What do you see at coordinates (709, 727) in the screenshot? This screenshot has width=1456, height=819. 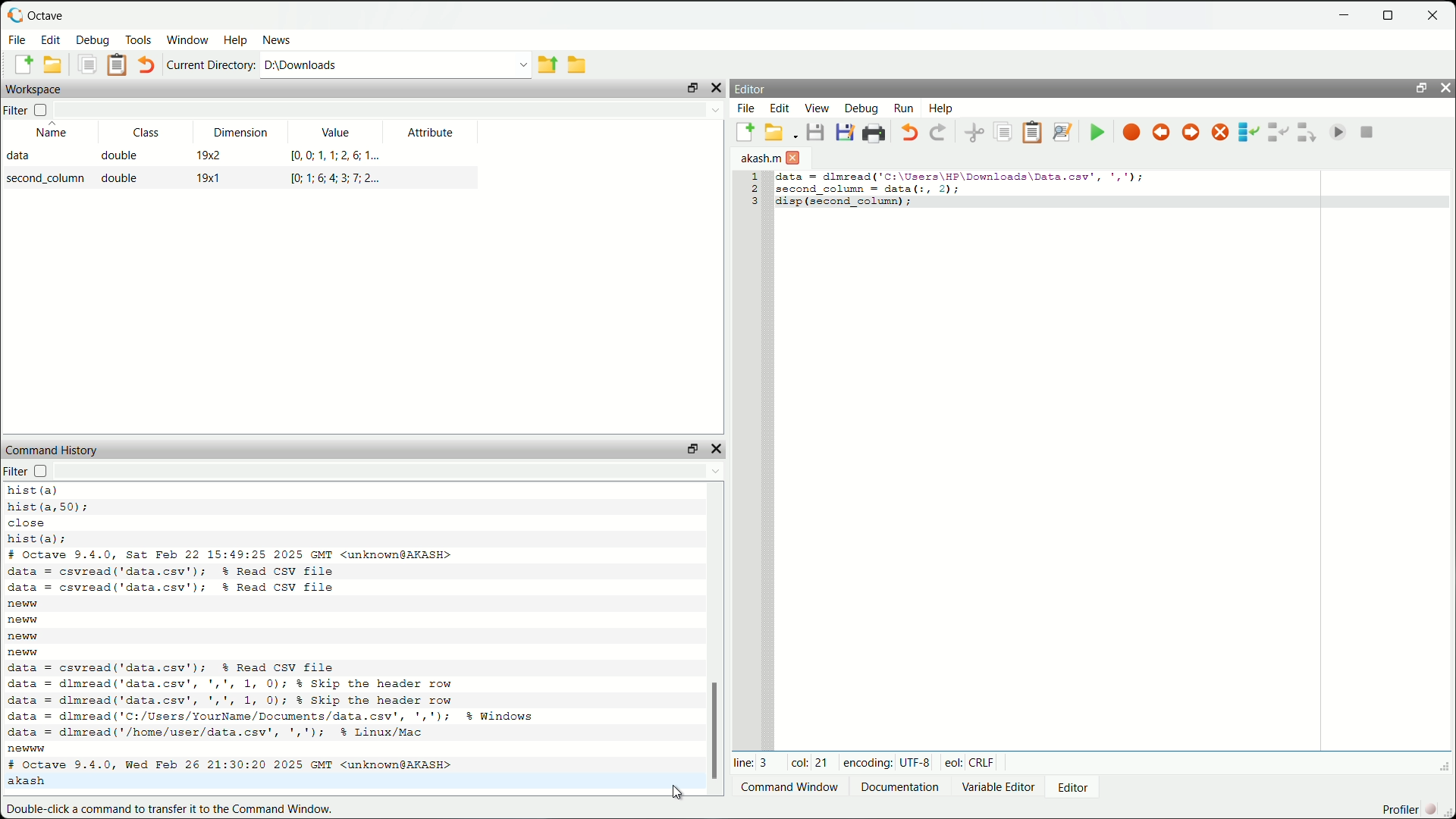 I see `scrollbar` at bounding box center [709, 727].